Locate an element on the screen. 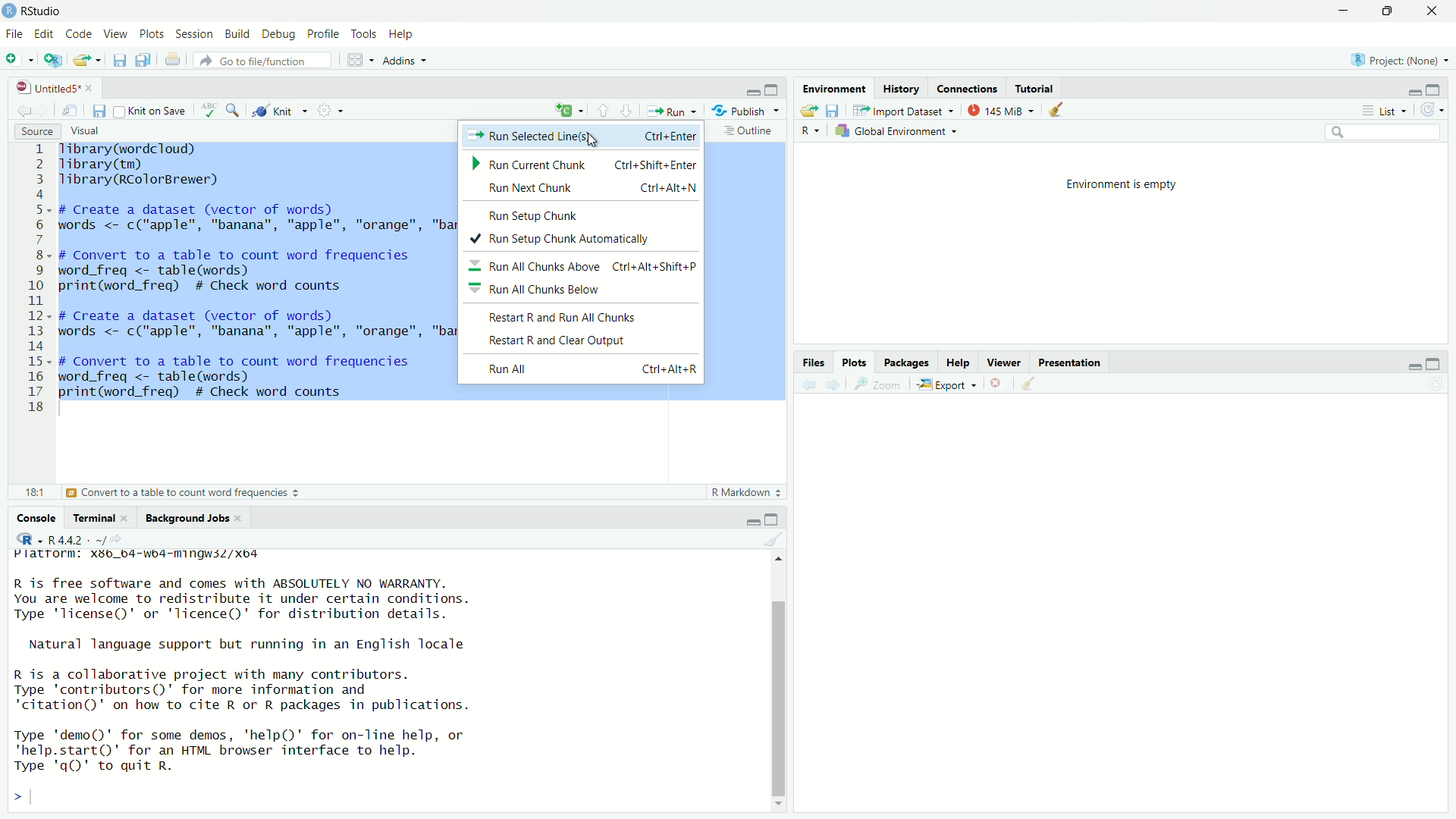 Image resolution: width=1456 pixels, height=819 pixels. Help is located at coordinates (404, 34).